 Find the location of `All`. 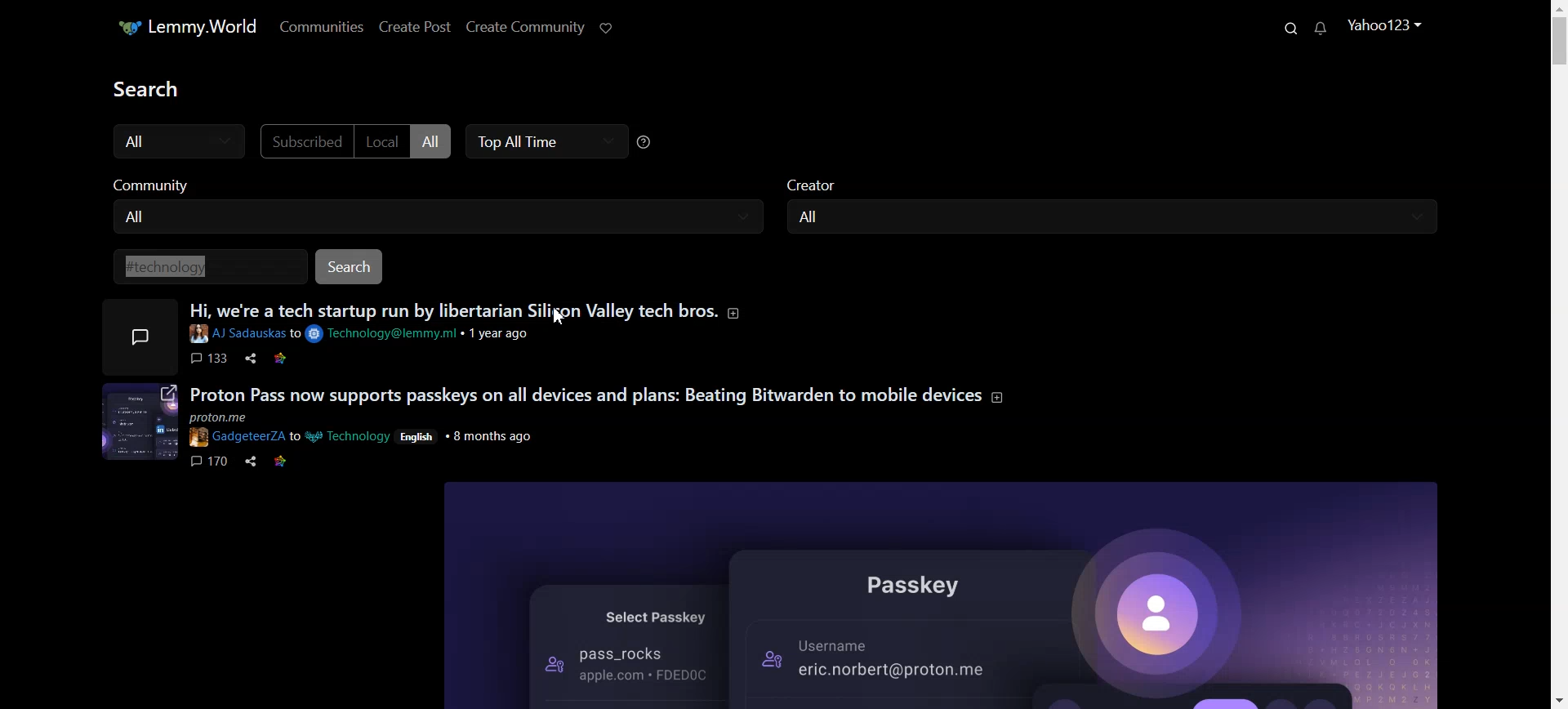

All is located at coordinates (434, 140).